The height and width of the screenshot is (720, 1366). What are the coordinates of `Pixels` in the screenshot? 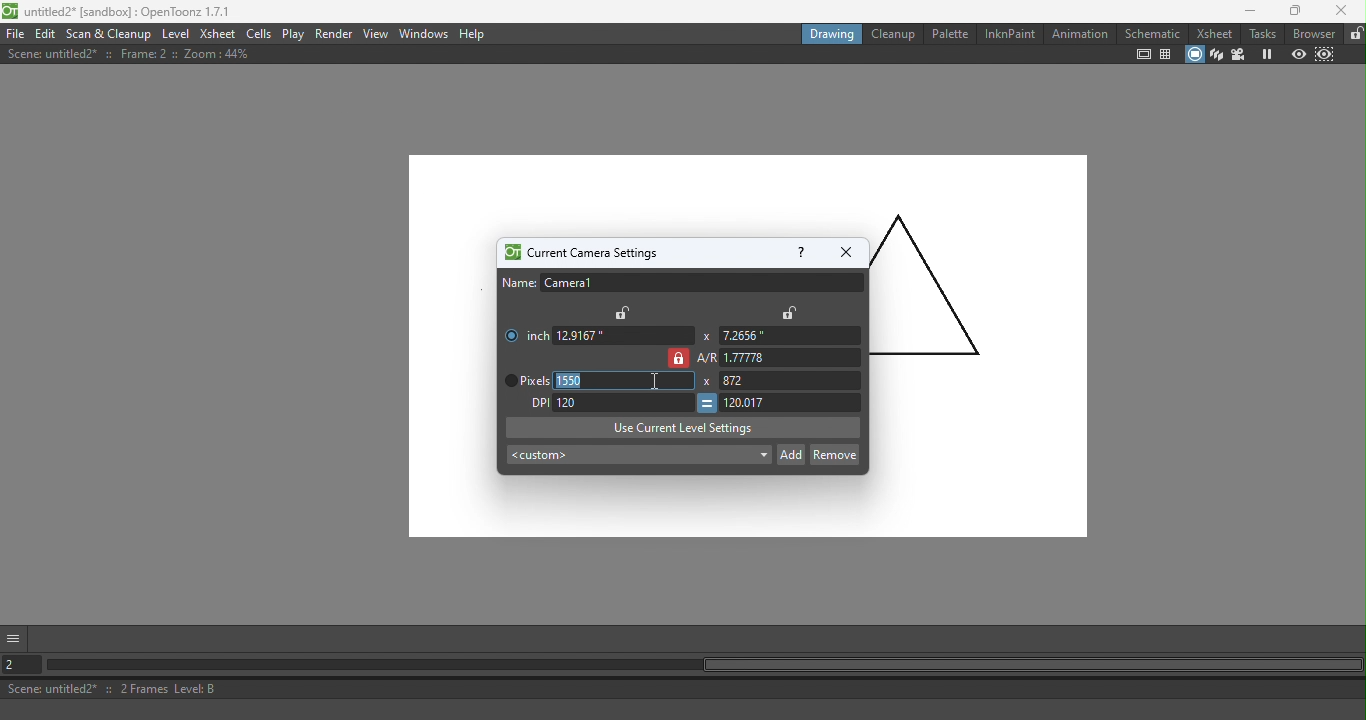 It's located at (523, 381).